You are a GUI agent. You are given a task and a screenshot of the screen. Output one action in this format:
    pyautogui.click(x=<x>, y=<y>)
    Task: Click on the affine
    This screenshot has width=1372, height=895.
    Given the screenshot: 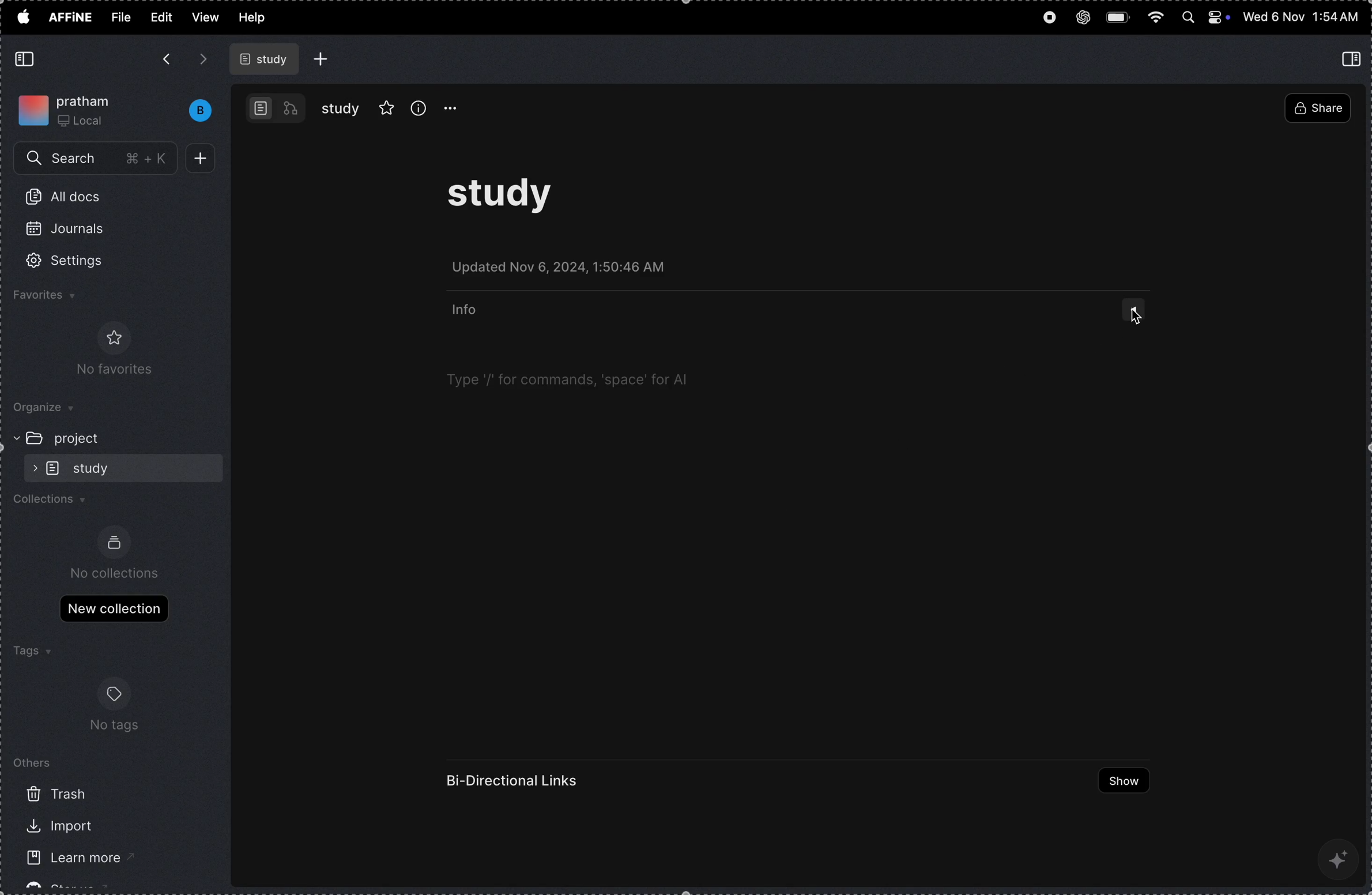 What is the action you would take?
    pyautogui.click(x=71, y=18)
    